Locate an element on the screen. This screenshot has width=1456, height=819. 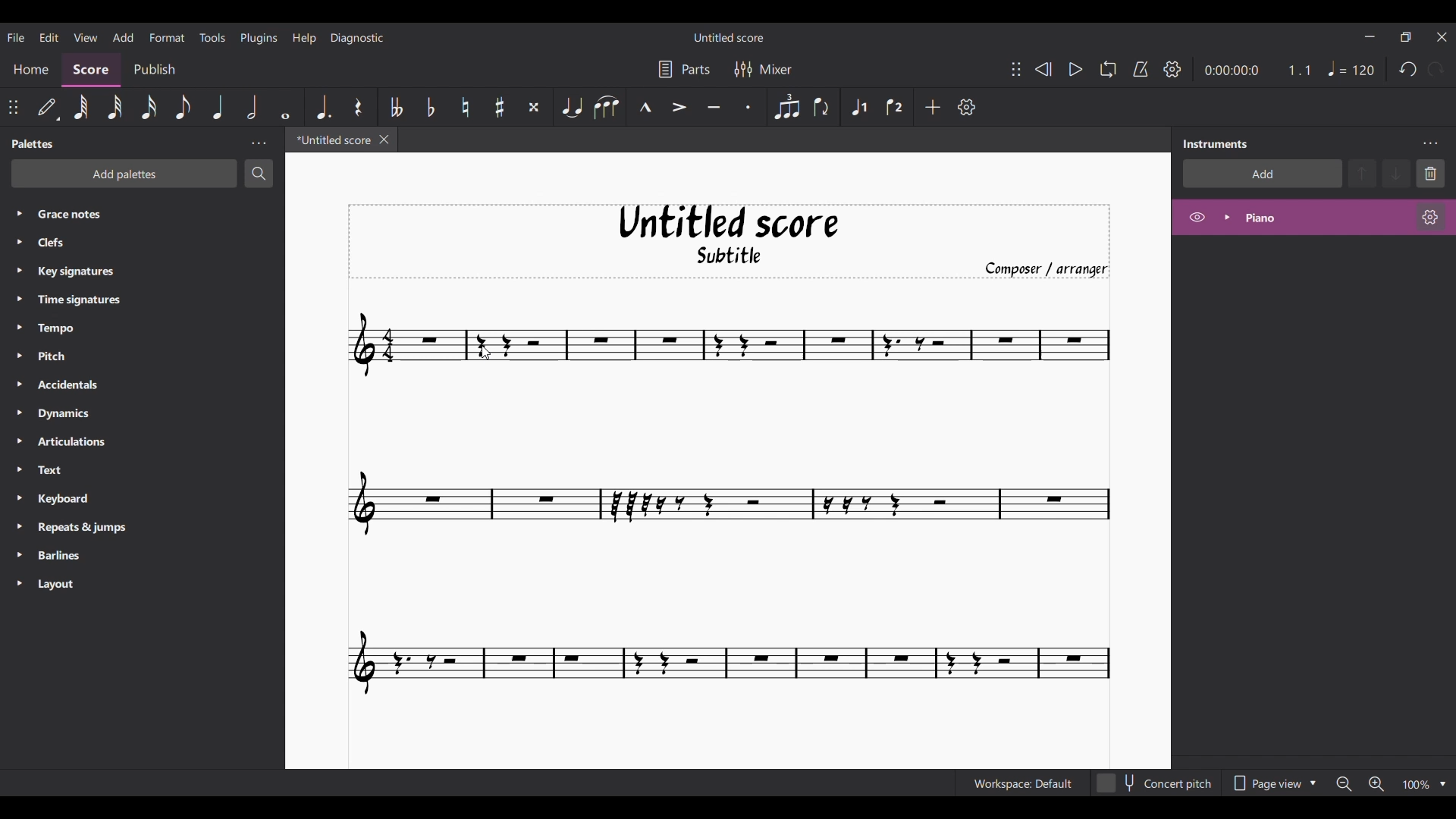
Expand each palette is located at coordinates (20, 397).